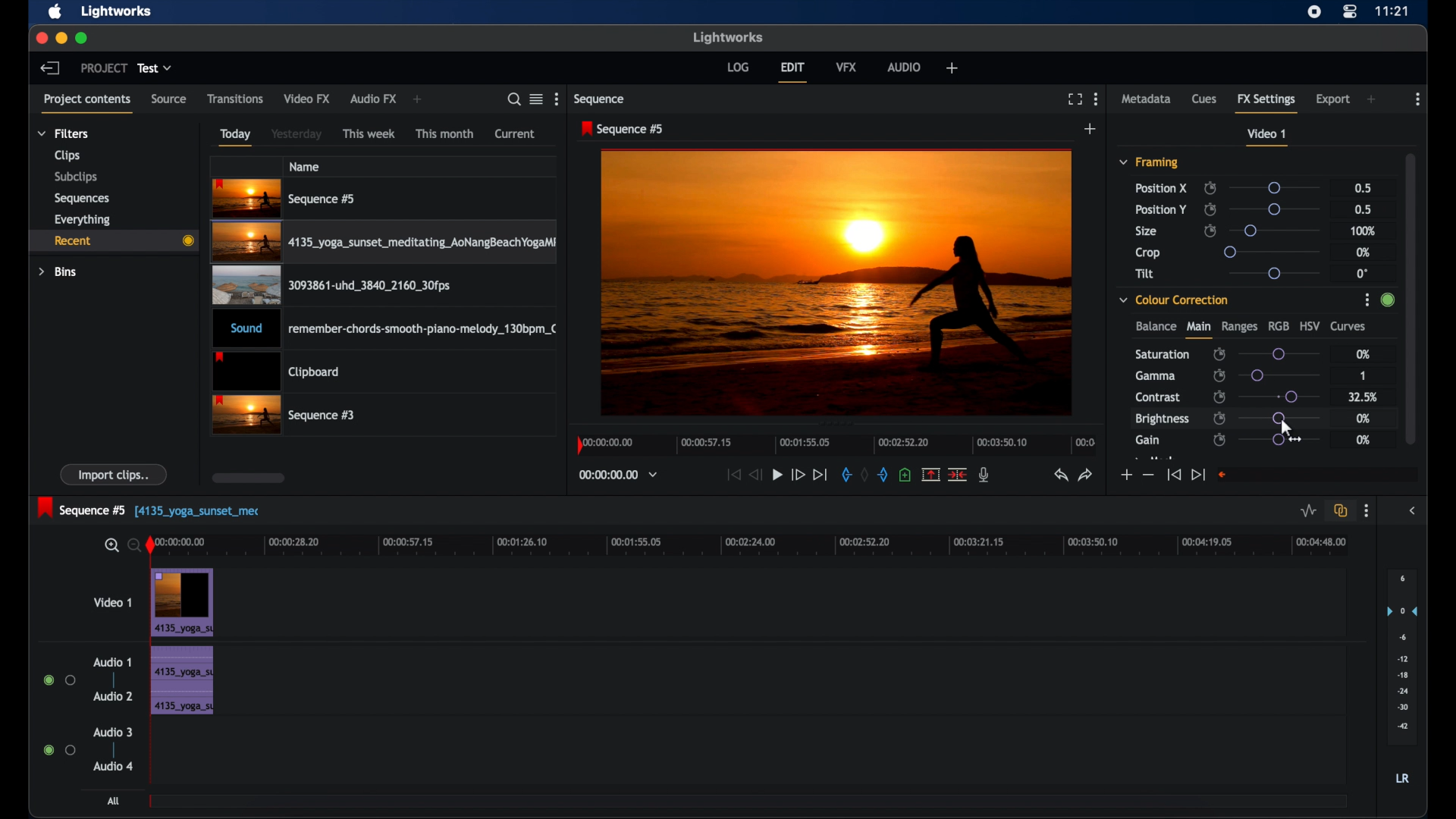 The width and height of the screenshot is (1456, 819). I want to click on scroll box, so click(249, 478).